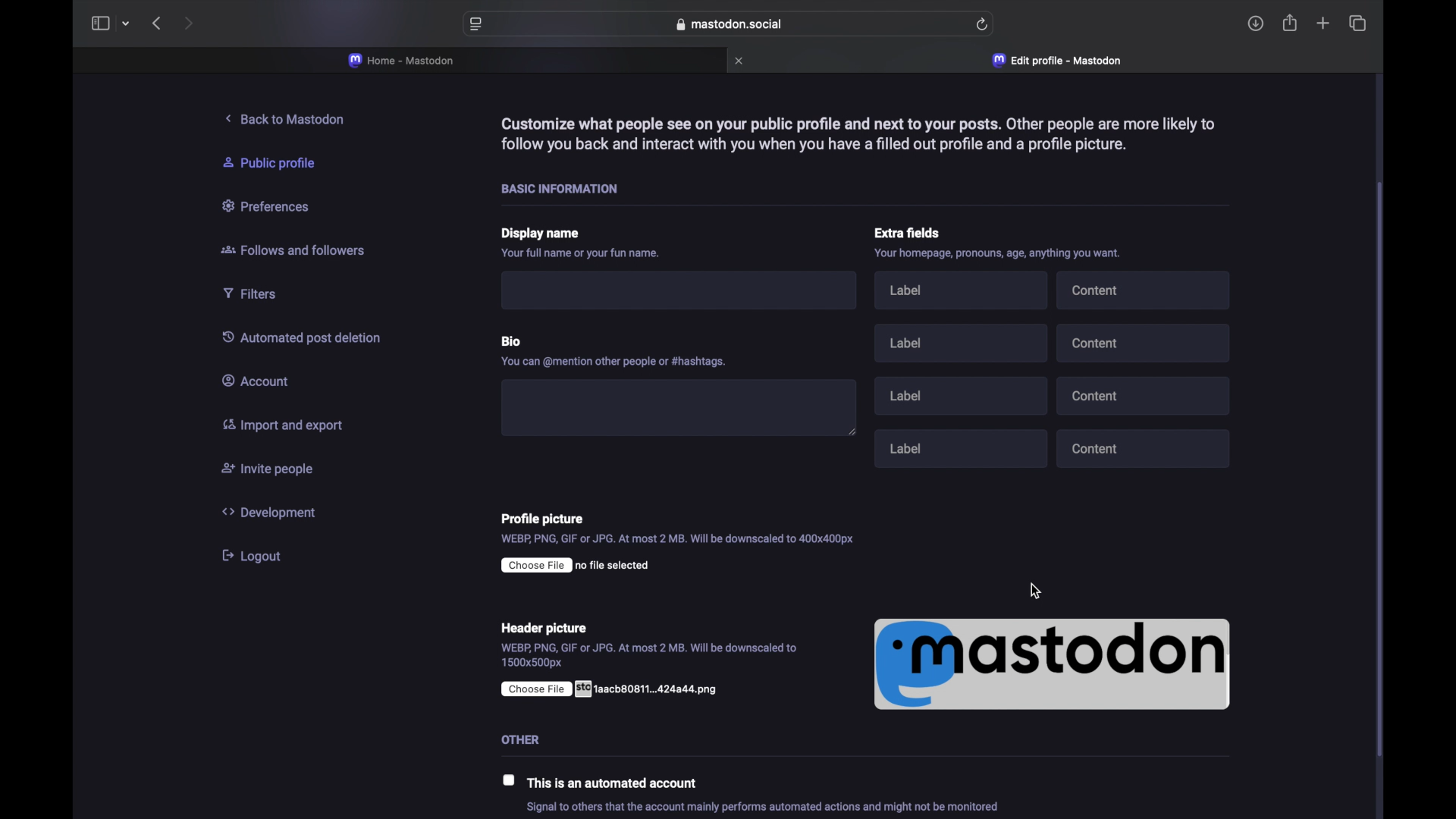 The image size is (1456, 819). What do you see at coordinates (961, 342) in the screenshot?
I see `label` at bounding box center [961, 342].